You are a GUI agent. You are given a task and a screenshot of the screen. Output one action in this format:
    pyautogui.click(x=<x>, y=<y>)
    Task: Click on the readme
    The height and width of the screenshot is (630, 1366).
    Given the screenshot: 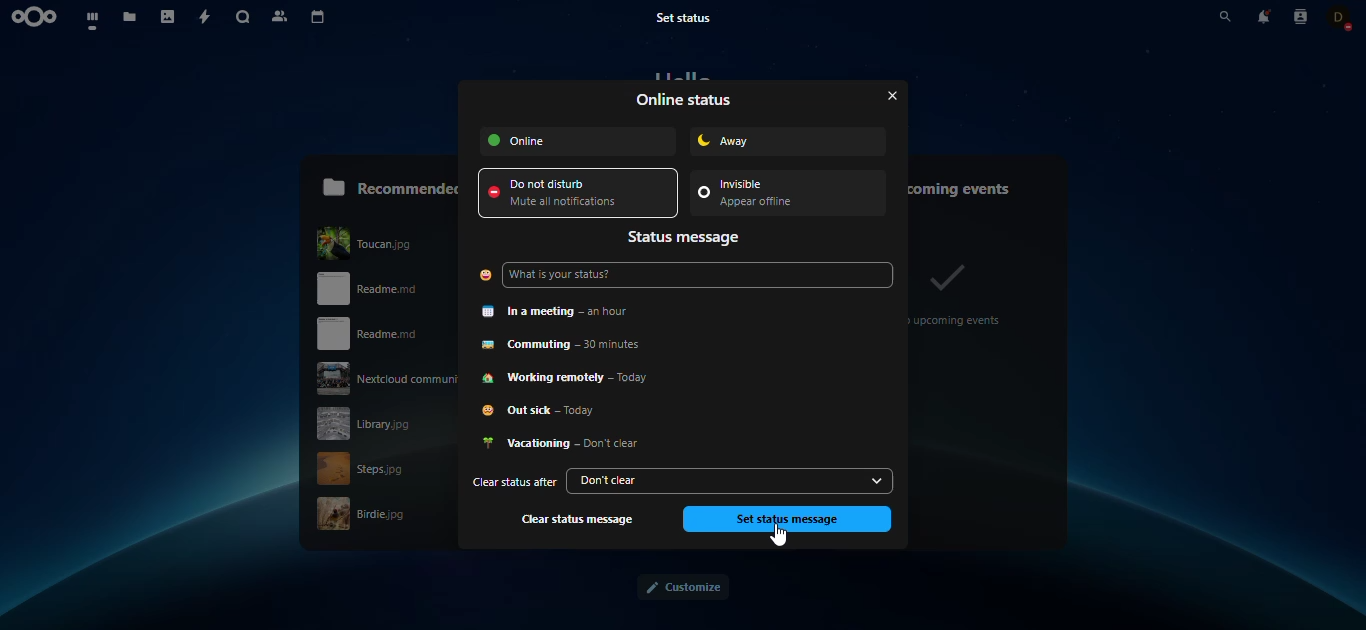 What is the action you would take?
    pyautogui.click(x=377, y=334)
    